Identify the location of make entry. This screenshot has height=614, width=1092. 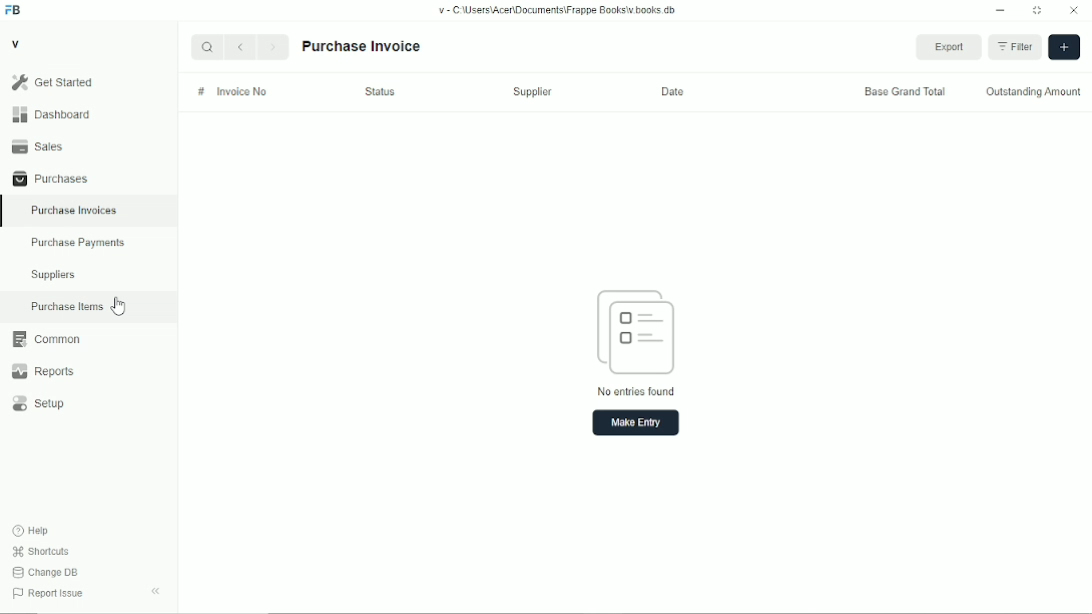
(636, 423).